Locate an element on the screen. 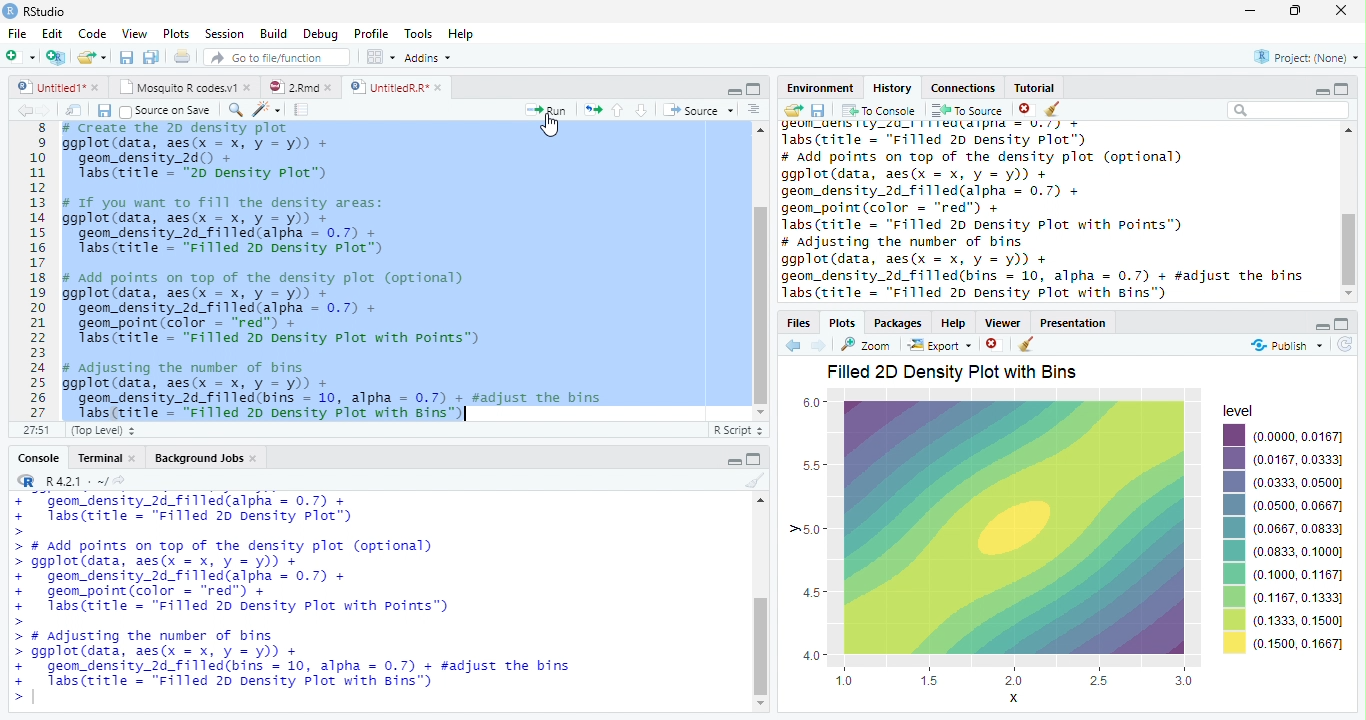 Image resolution: width=1366 pixels, height=720 pixels. minimize is located at coordinates (1323, 326).